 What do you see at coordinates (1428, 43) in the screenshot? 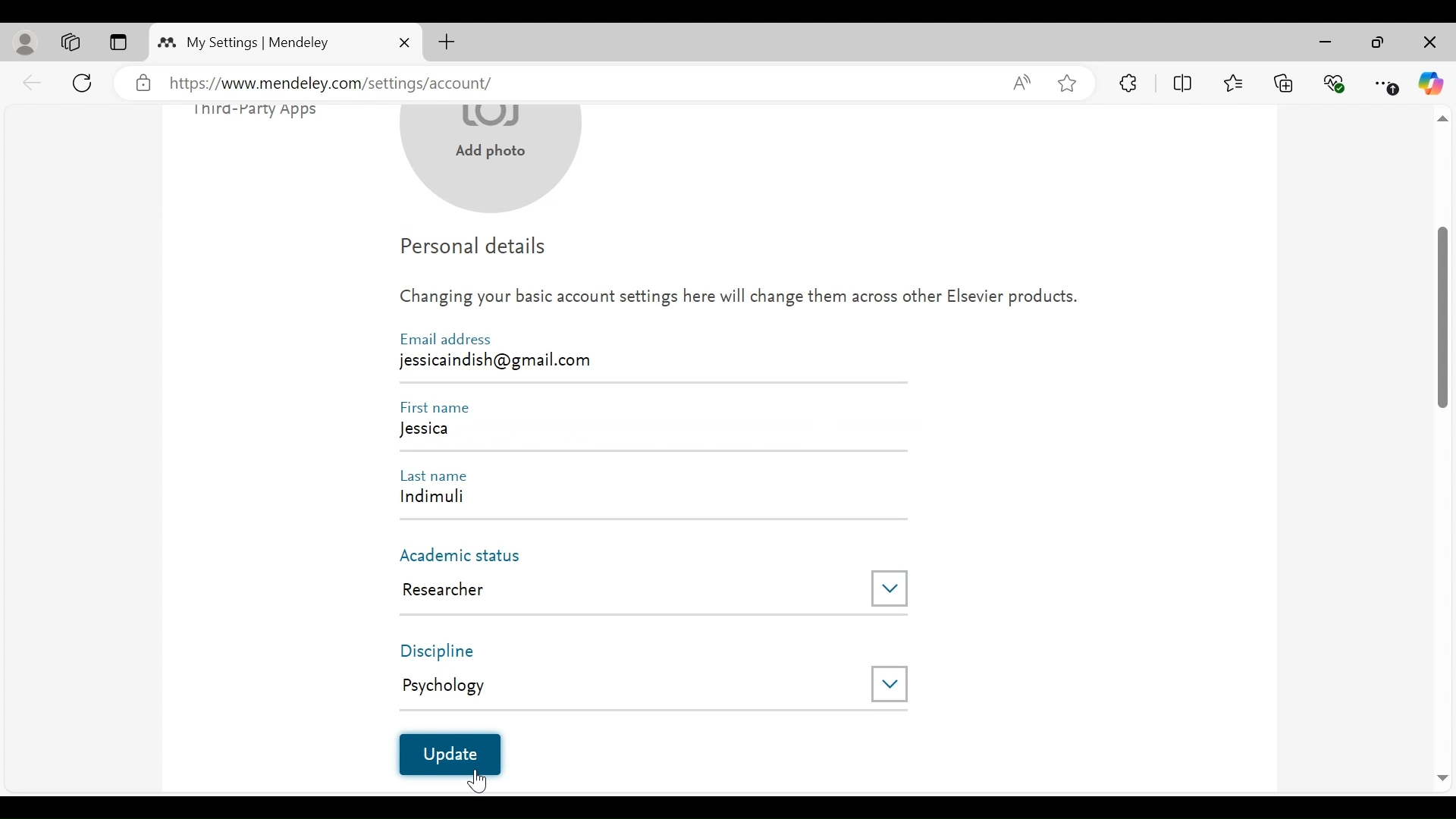
I see `Close` at bounding box center [1428, 43].